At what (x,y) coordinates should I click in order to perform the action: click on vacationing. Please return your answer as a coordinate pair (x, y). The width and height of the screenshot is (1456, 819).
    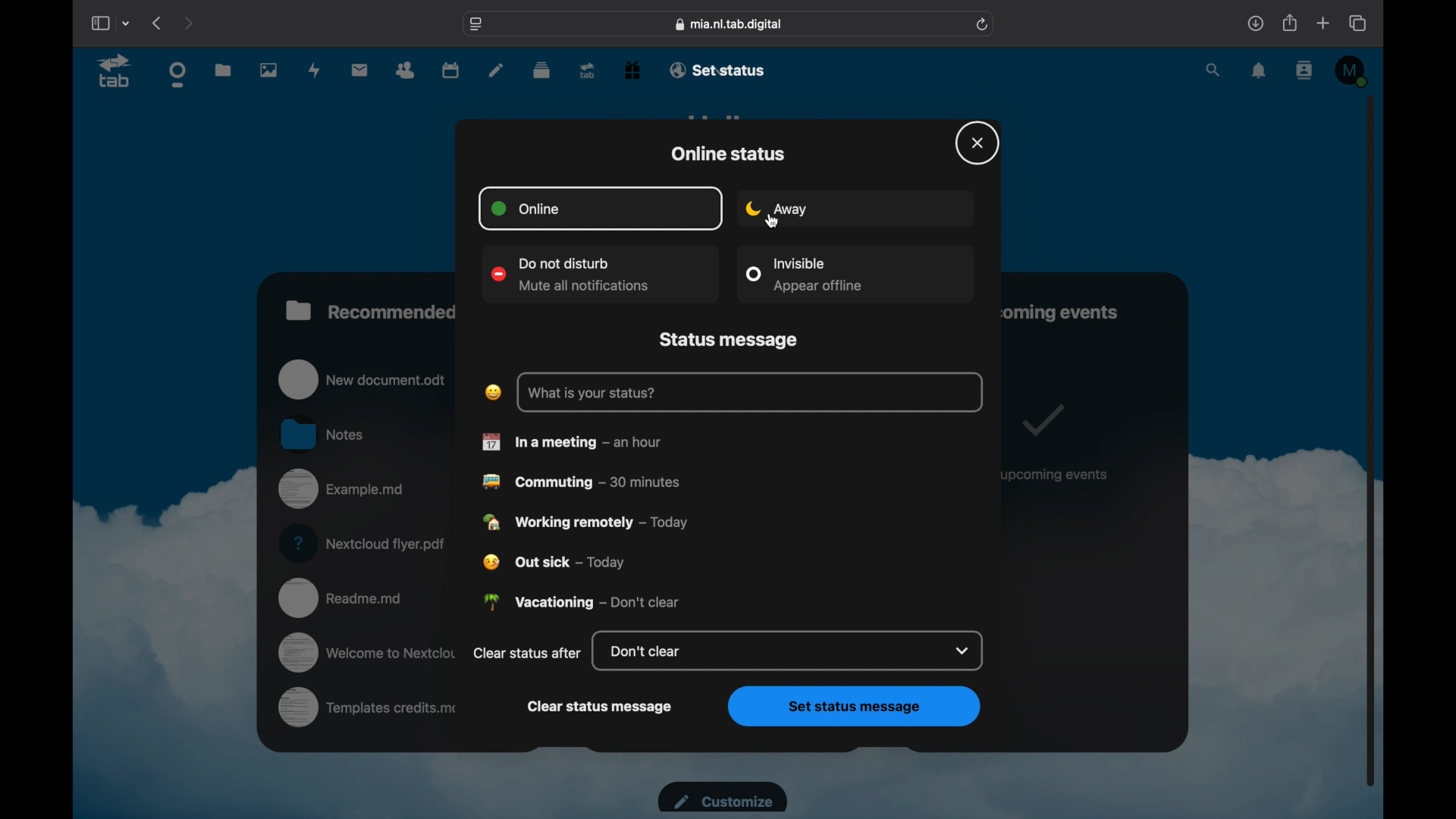
    Looking at the image, I should click on (582, 601).